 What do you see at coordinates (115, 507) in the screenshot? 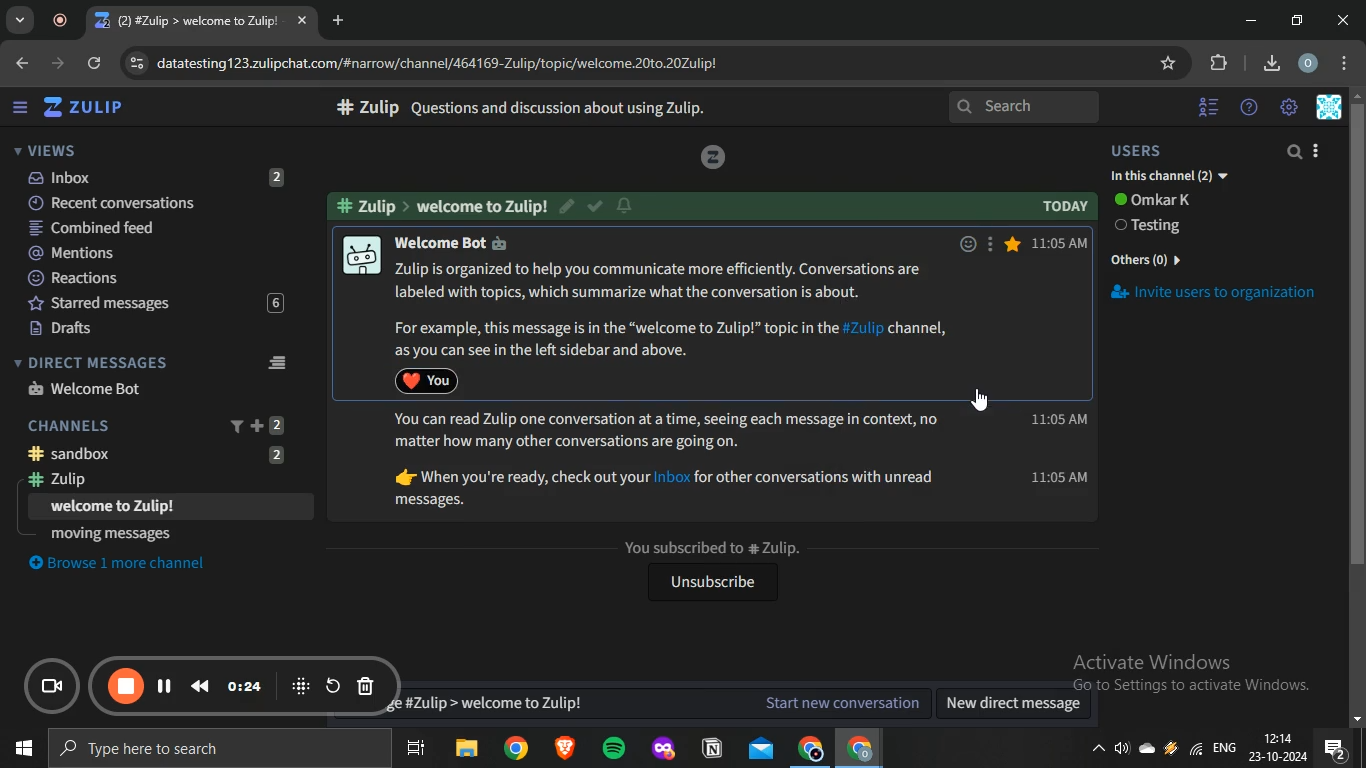
I see `welcome to zulip` at bounding box center [115, 507].